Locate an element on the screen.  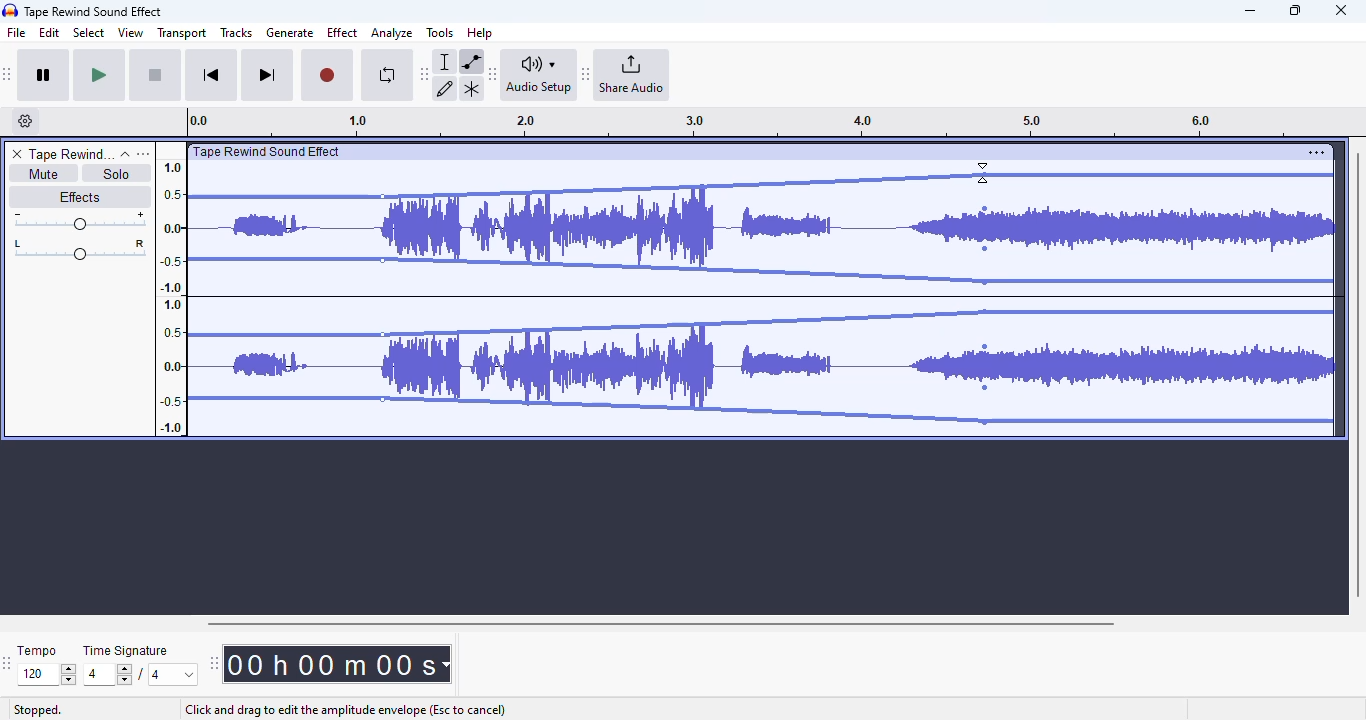
edit is located at coordinates (50, 33).